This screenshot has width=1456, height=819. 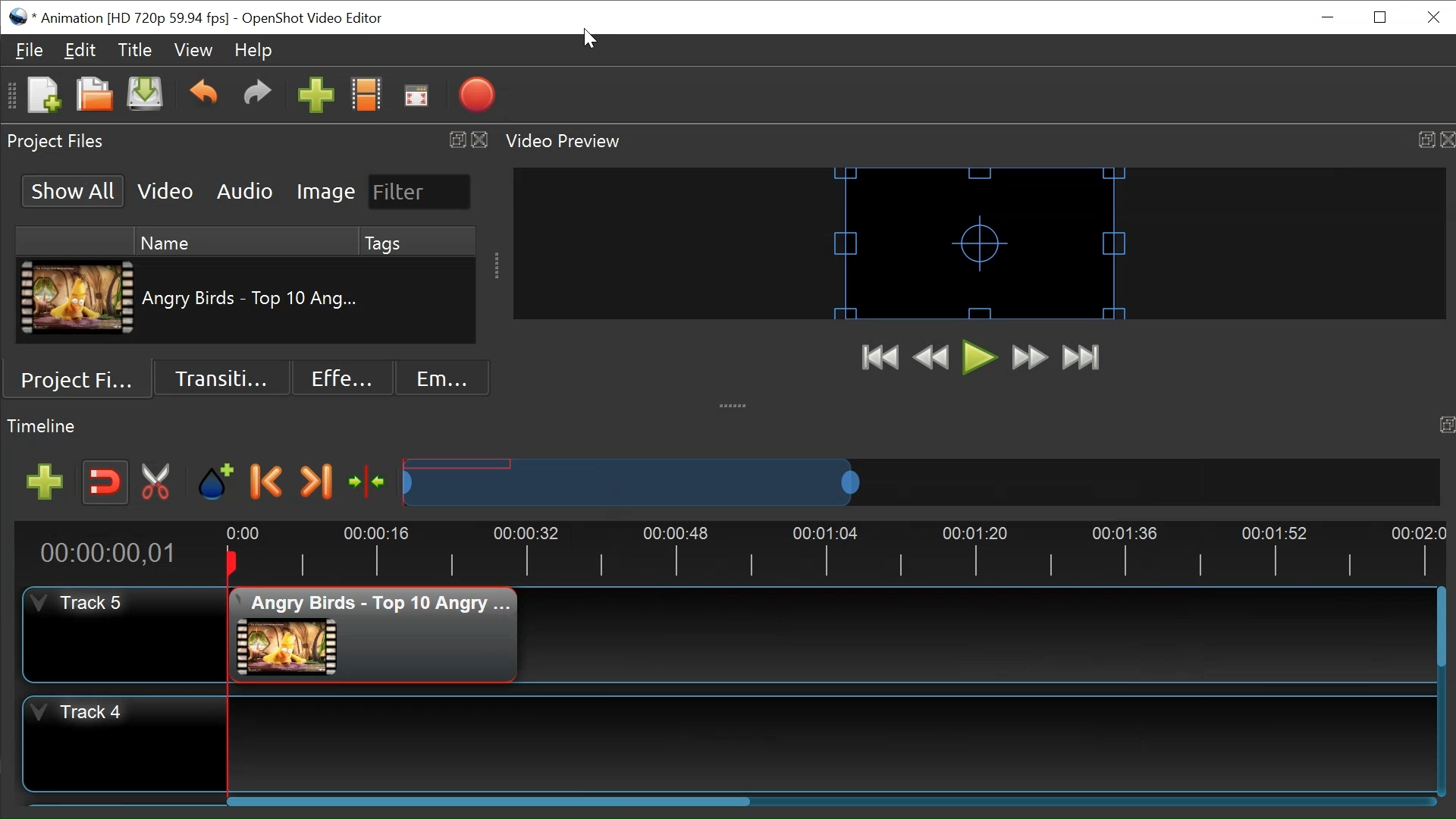 What do you see at coordinates (194, 52) in the screenshot?
I see `View` at bounding box center [194, 52].